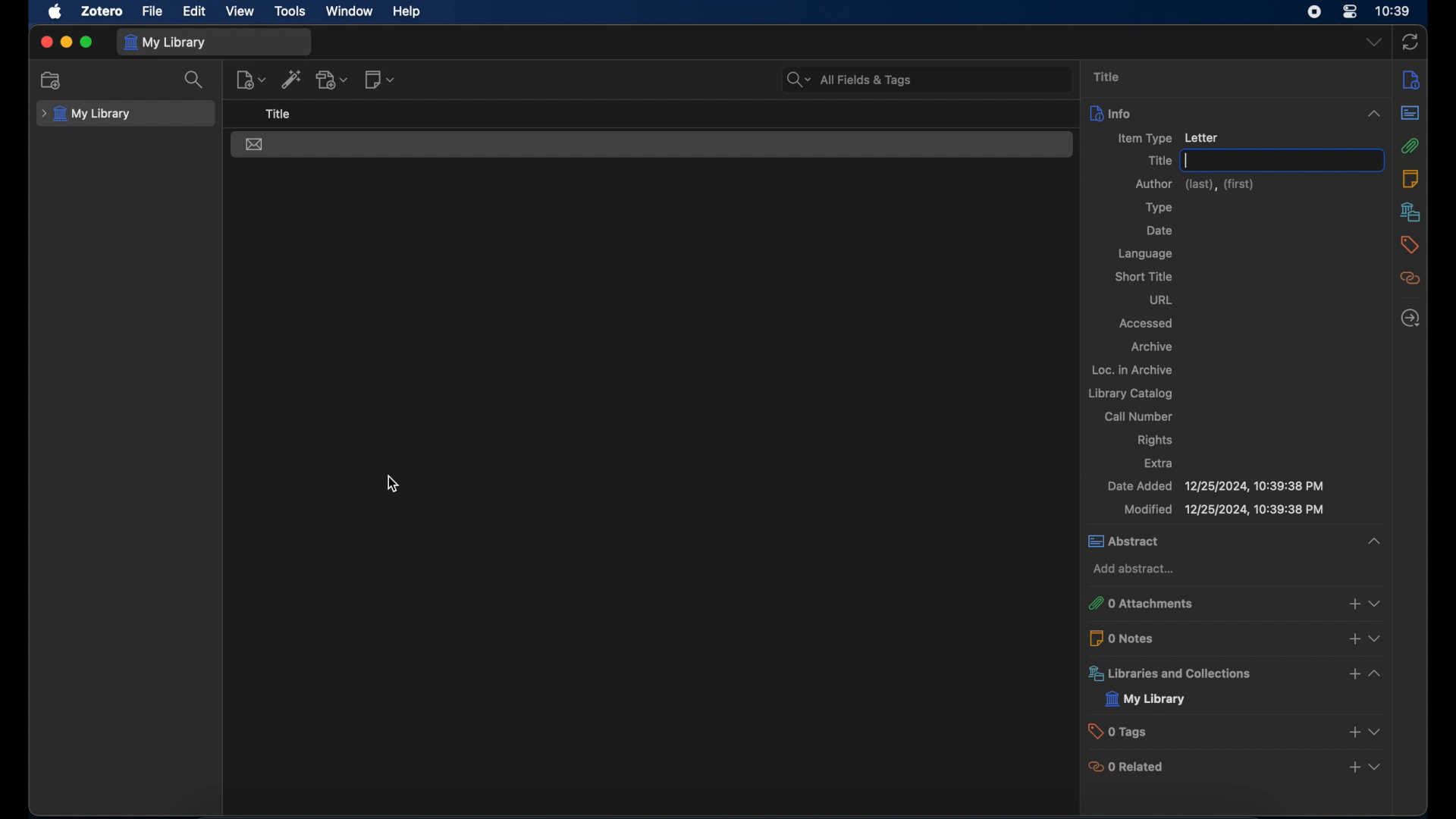 Image resolution: width=1456 pixels, height=819 pixels. I want to click on call number, so click(1139, 416).